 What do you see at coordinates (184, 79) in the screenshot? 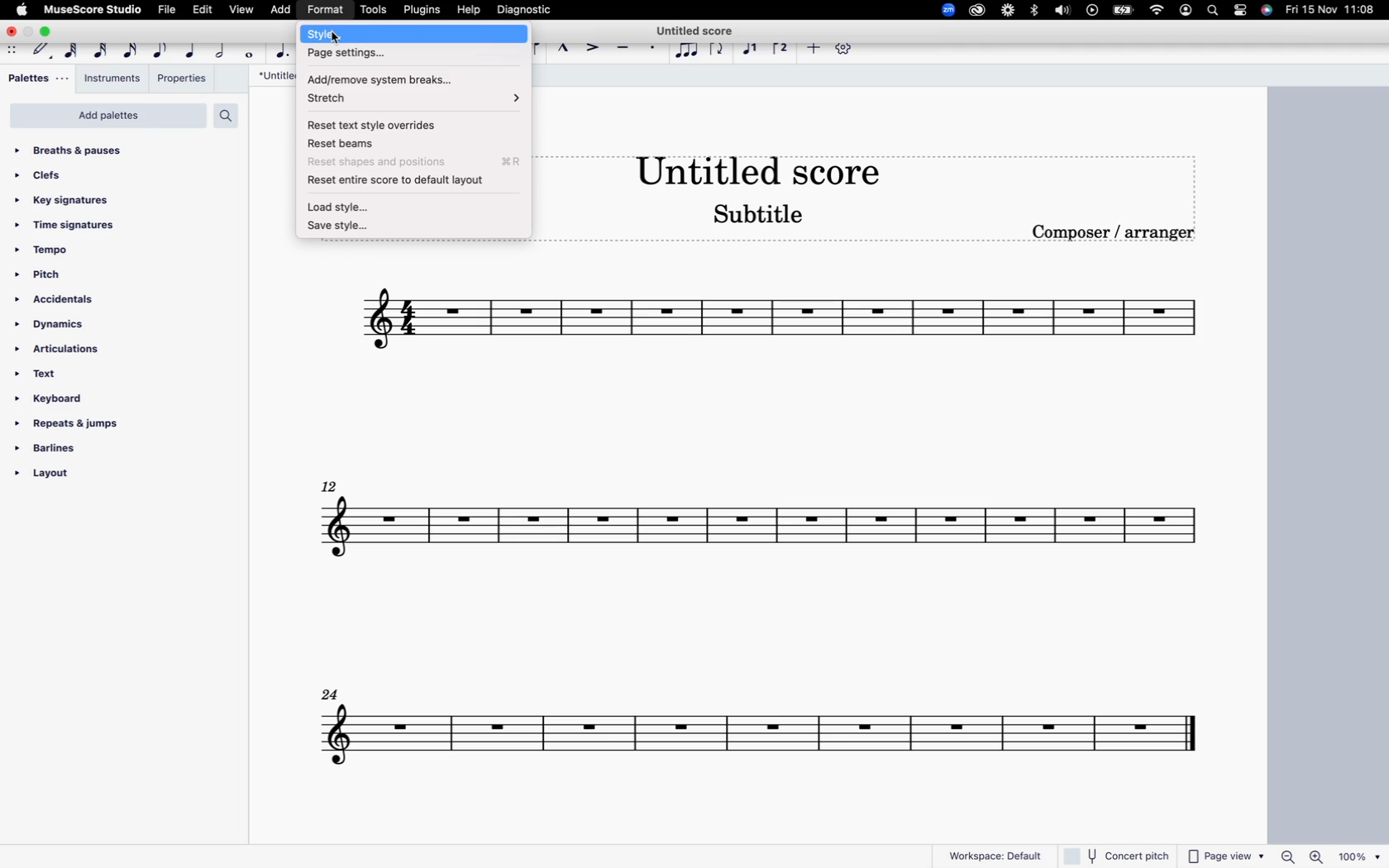
I see `properties` at bounding box center [184, 79].